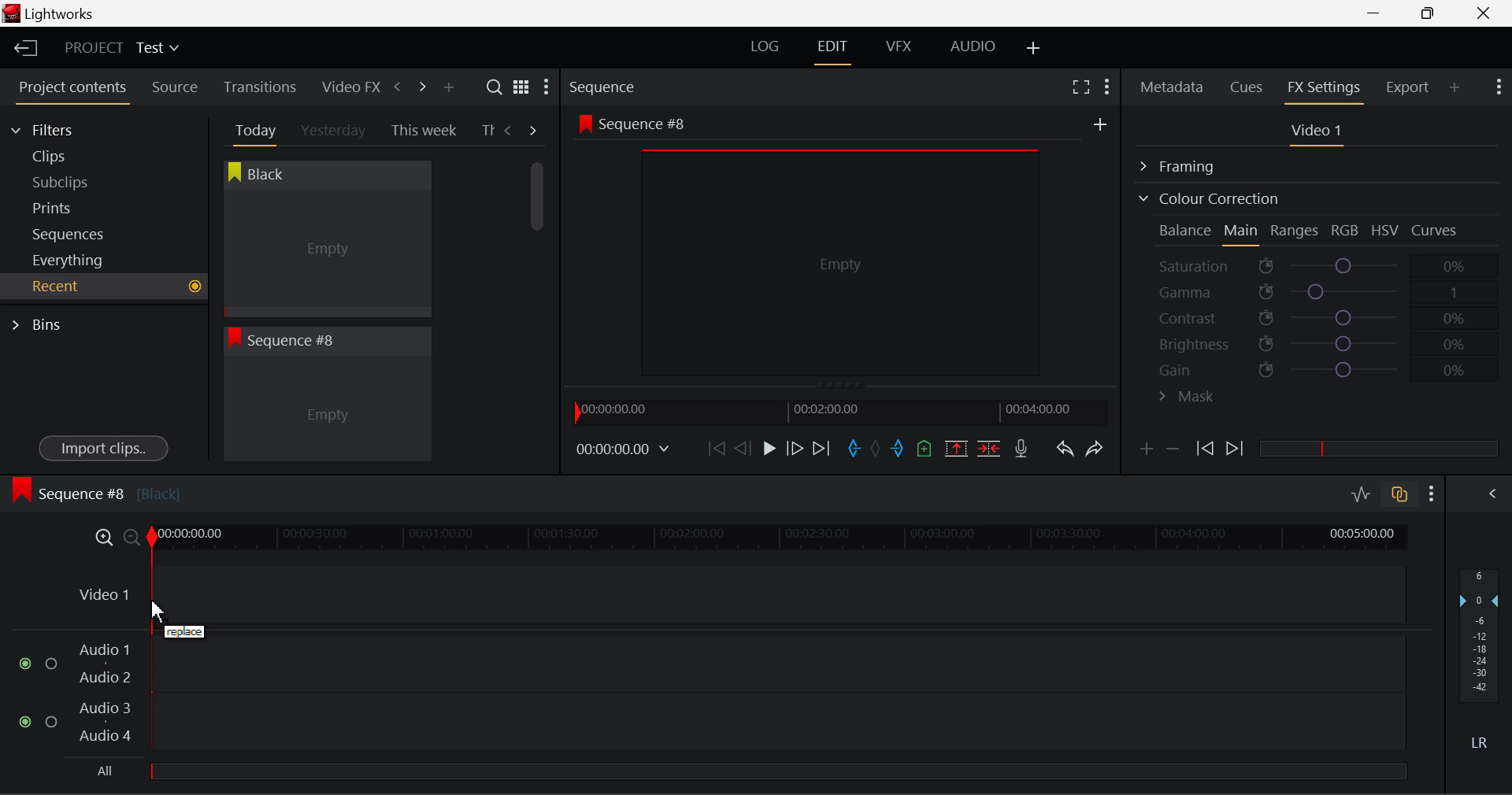  I want to click on Prints, so click(74, 205).